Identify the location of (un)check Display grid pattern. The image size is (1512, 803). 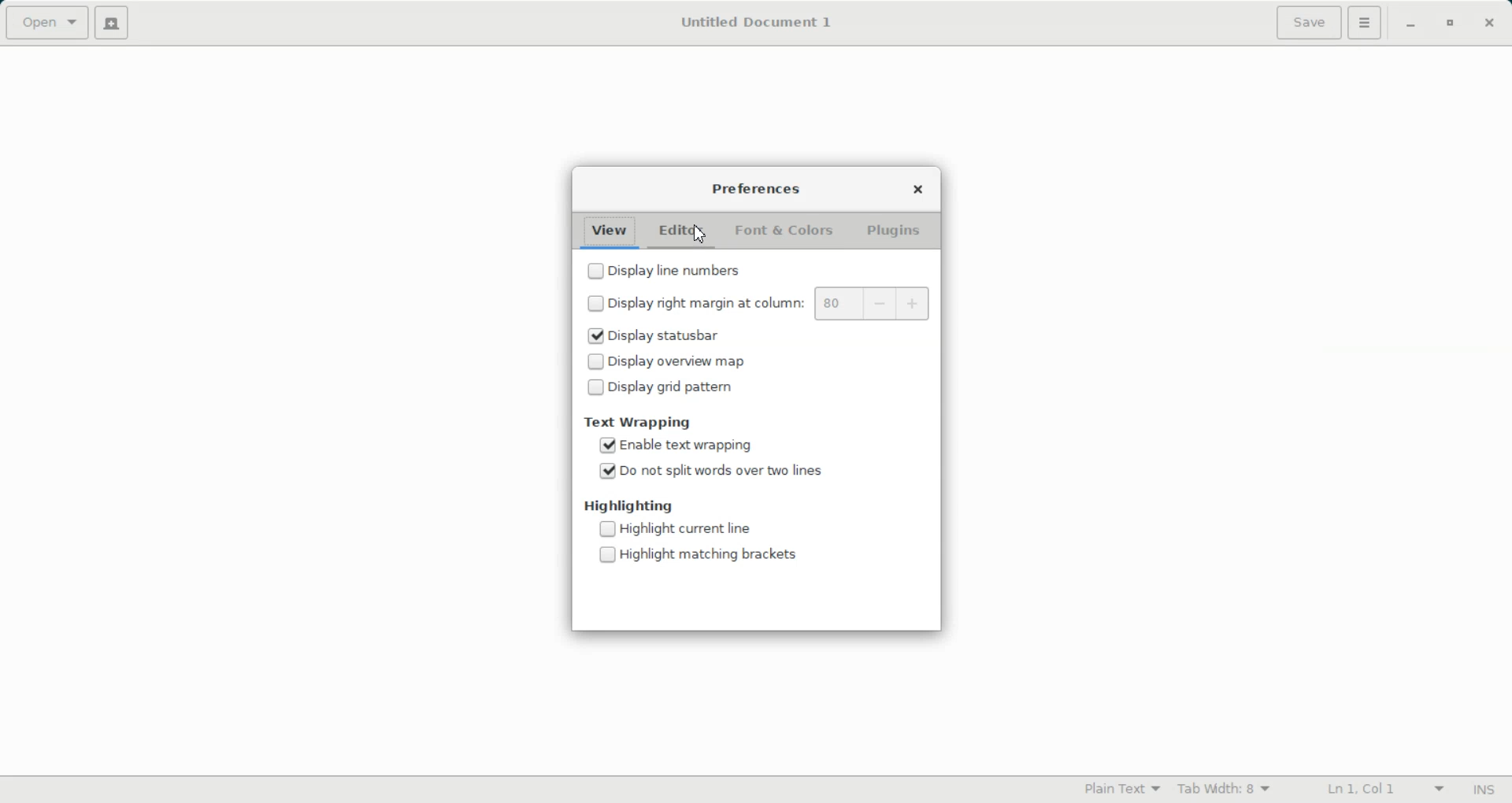
(680, 387).